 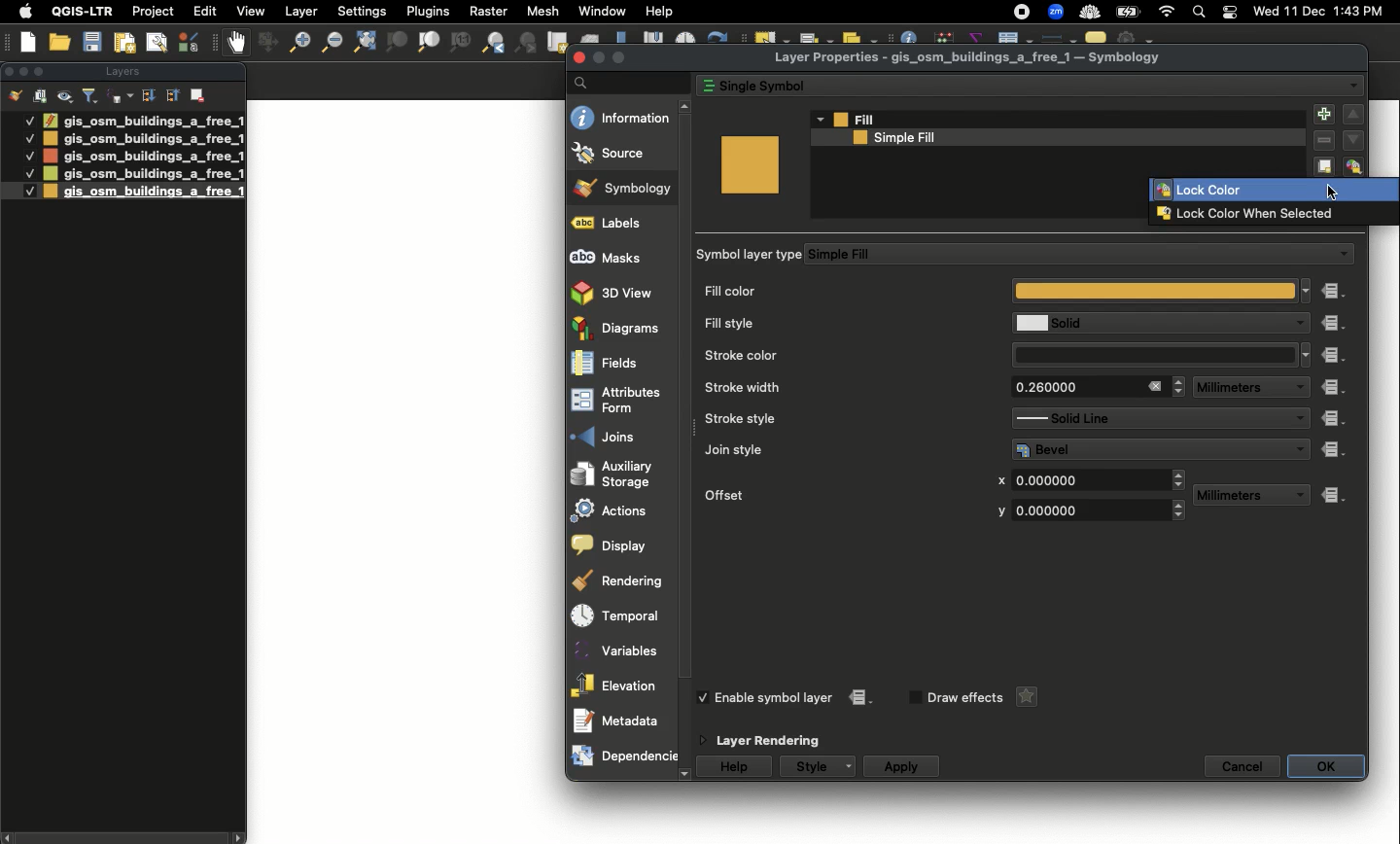 What do you see at coordinates (28, 137) in the screenshot?
I see `Checked` at bounding box center [28, 137].